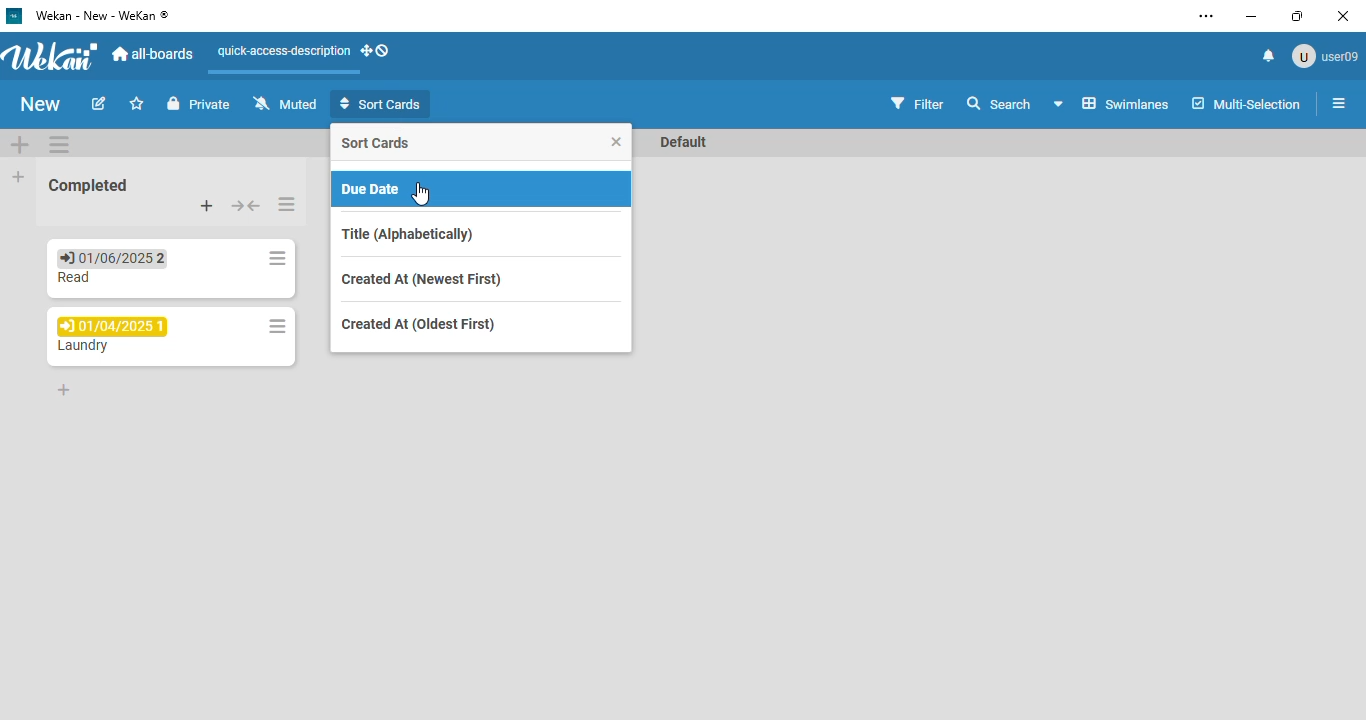  What do you see at coordinates (76, 280) in the screenshot?
I see `Read` at bounding box center [76, 280].